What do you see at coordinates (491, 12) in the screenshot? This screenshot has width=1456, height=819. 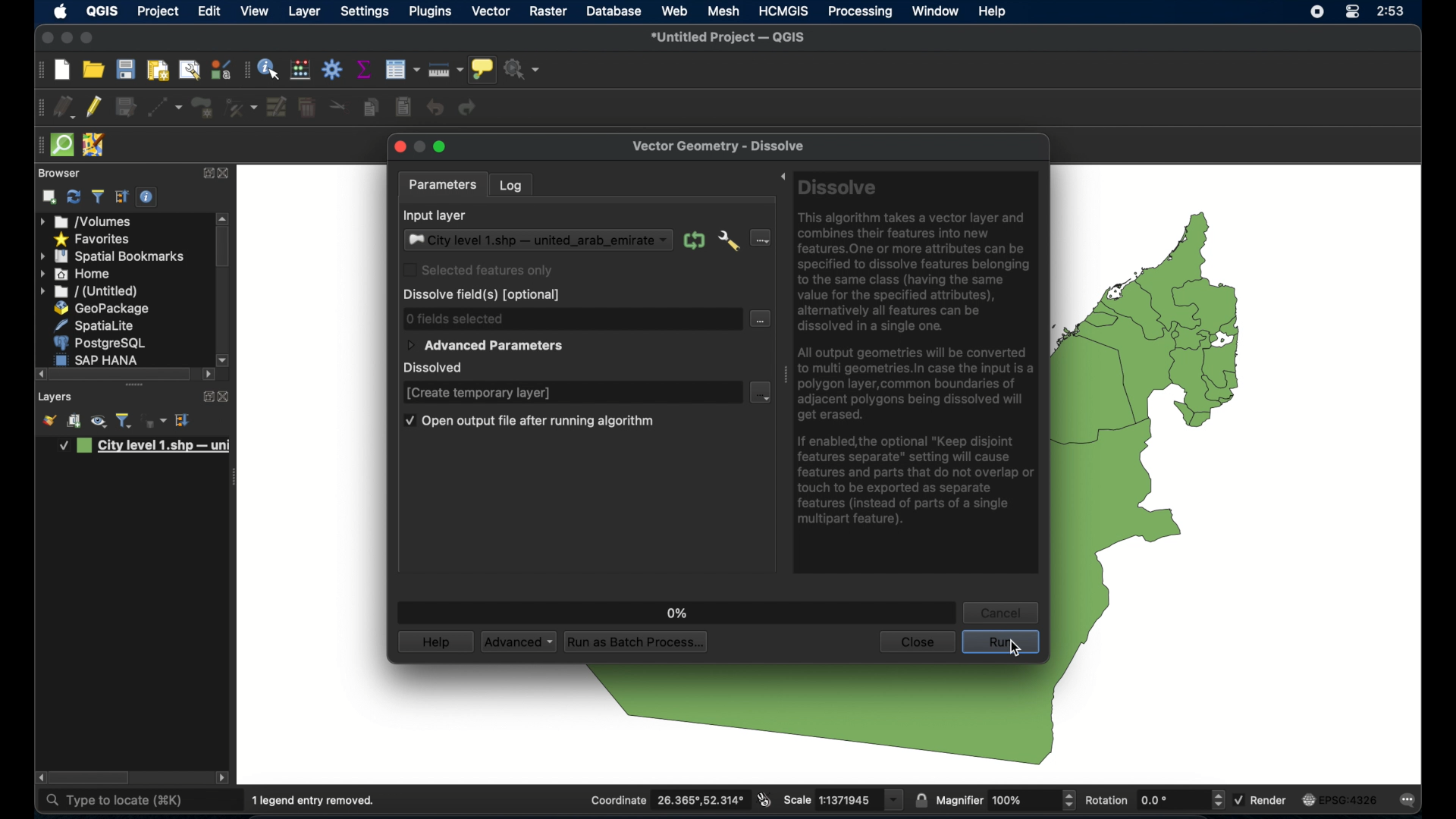 I see `vector selected` at bounding box center [491, 12].